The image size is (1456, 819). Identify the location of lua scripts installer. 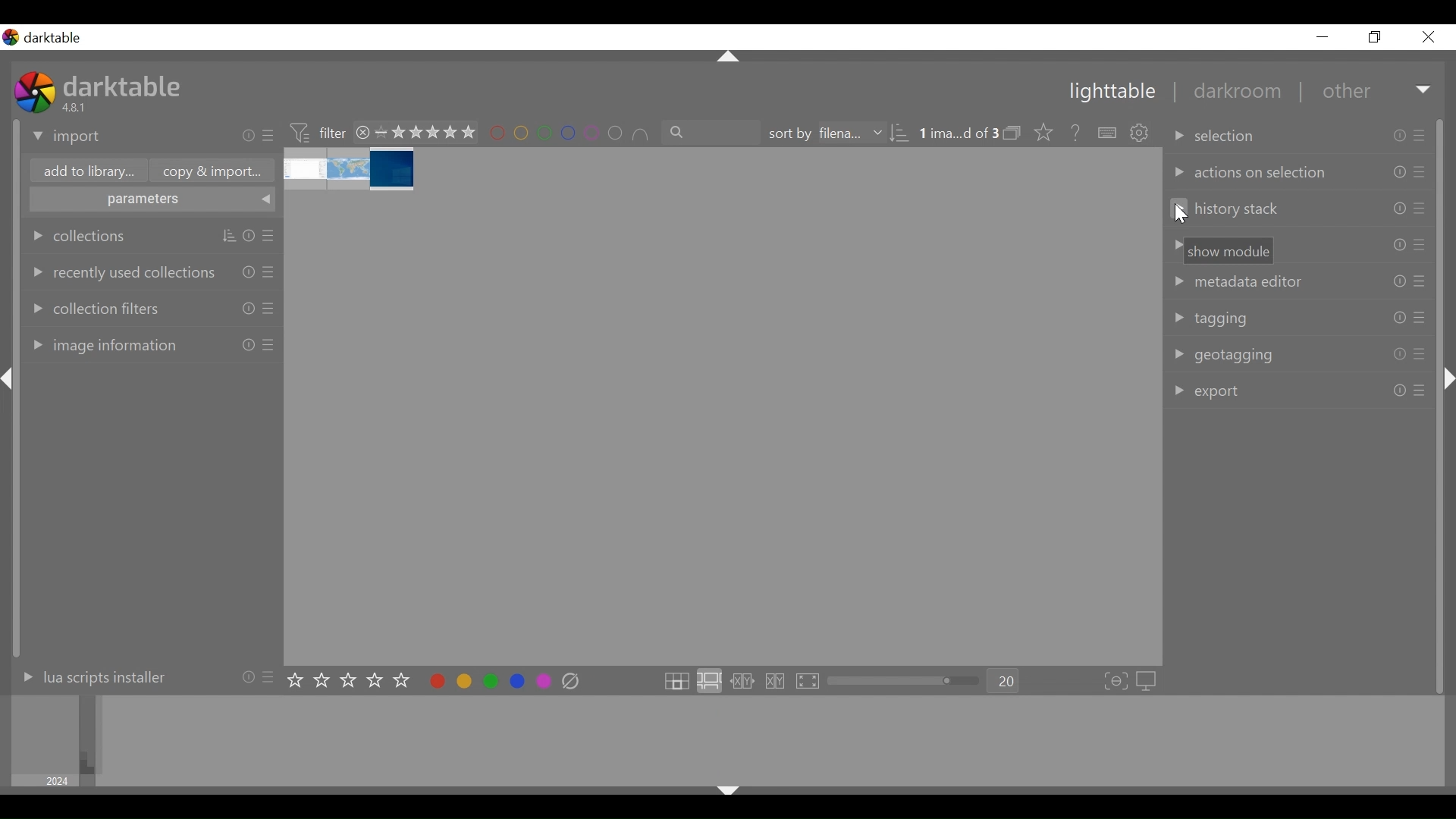
(90, 676).